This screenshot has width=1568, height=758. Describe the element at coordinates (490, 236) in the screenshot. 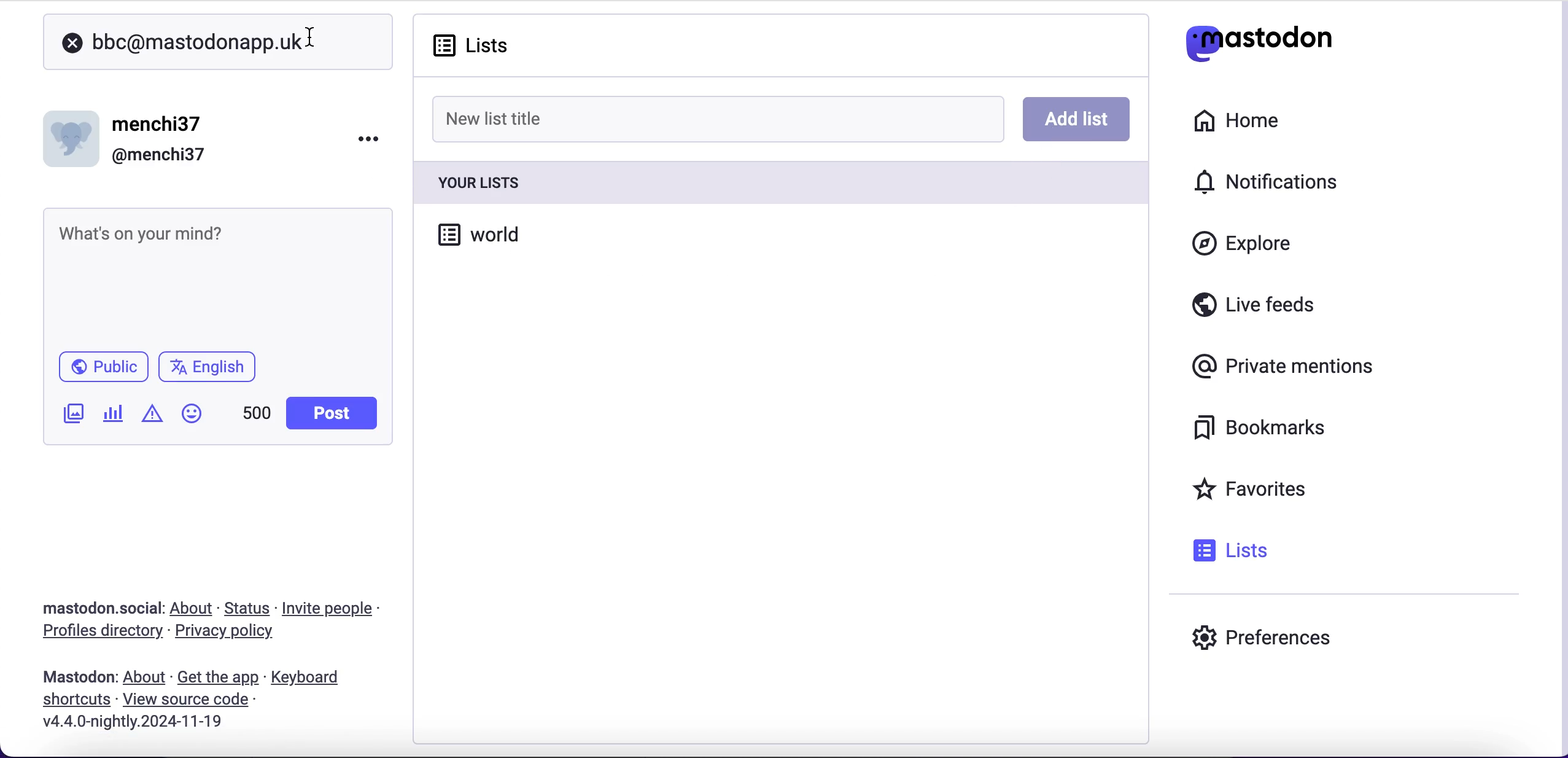

I see `world` at that location.